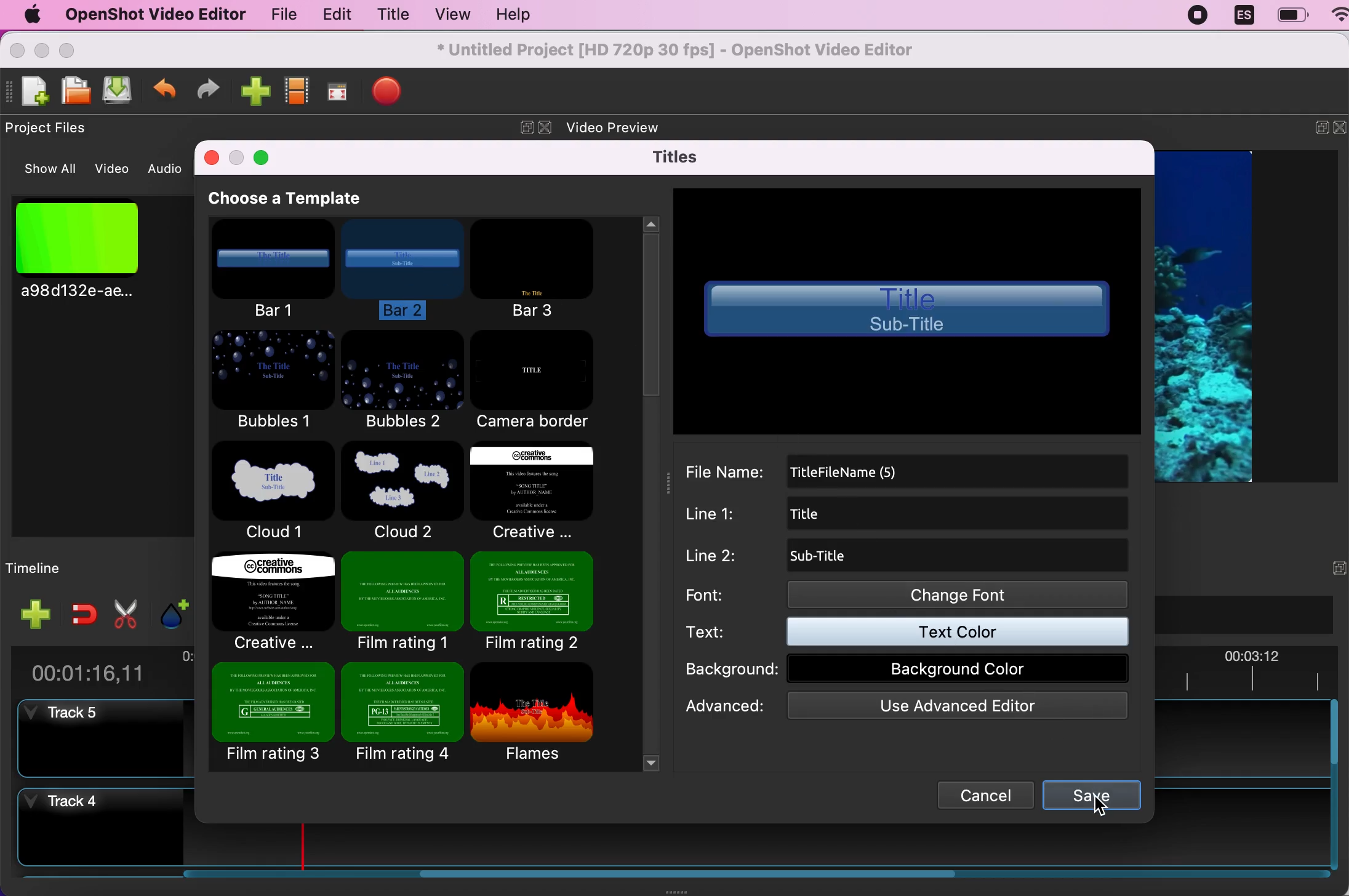 The height and width of the screenshot is (896, 1349). What do you see at coordinates (82, 49) in the screenshot?
I see `maximize` at bounding box center [82, 49].